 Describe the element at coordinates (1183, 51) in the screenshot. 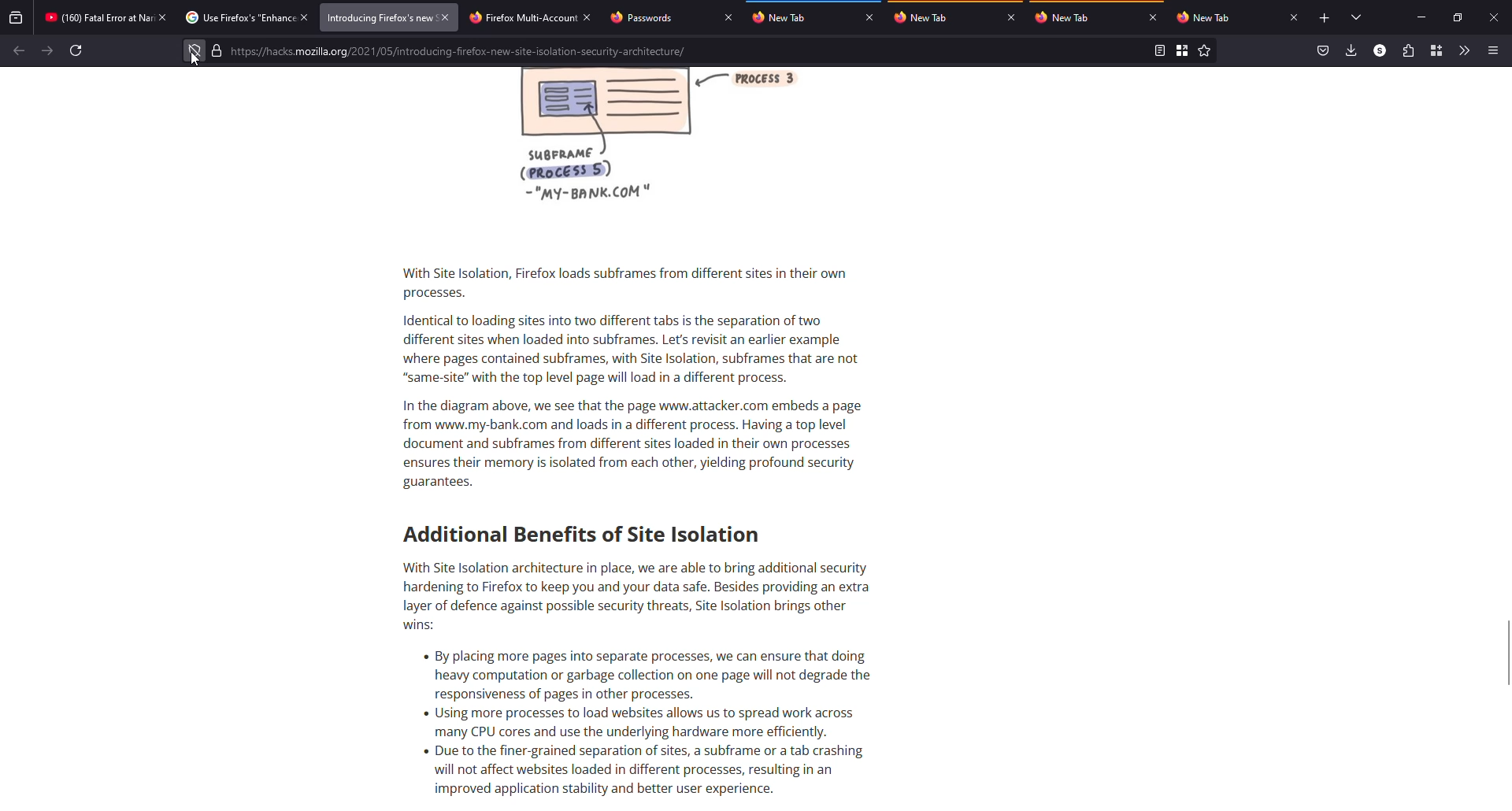

I see `open site in container` at that location.